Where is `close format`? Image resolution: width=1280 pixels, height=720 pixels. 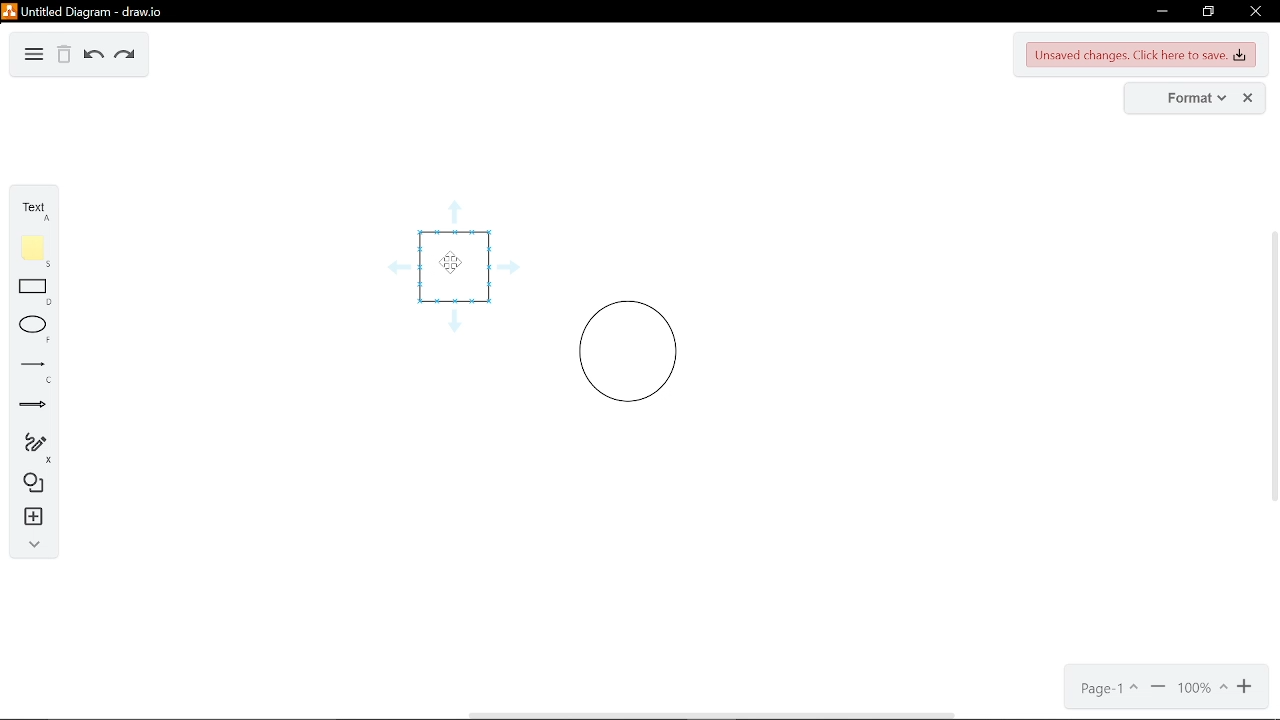
close format is located at coordinates (1249, 98).